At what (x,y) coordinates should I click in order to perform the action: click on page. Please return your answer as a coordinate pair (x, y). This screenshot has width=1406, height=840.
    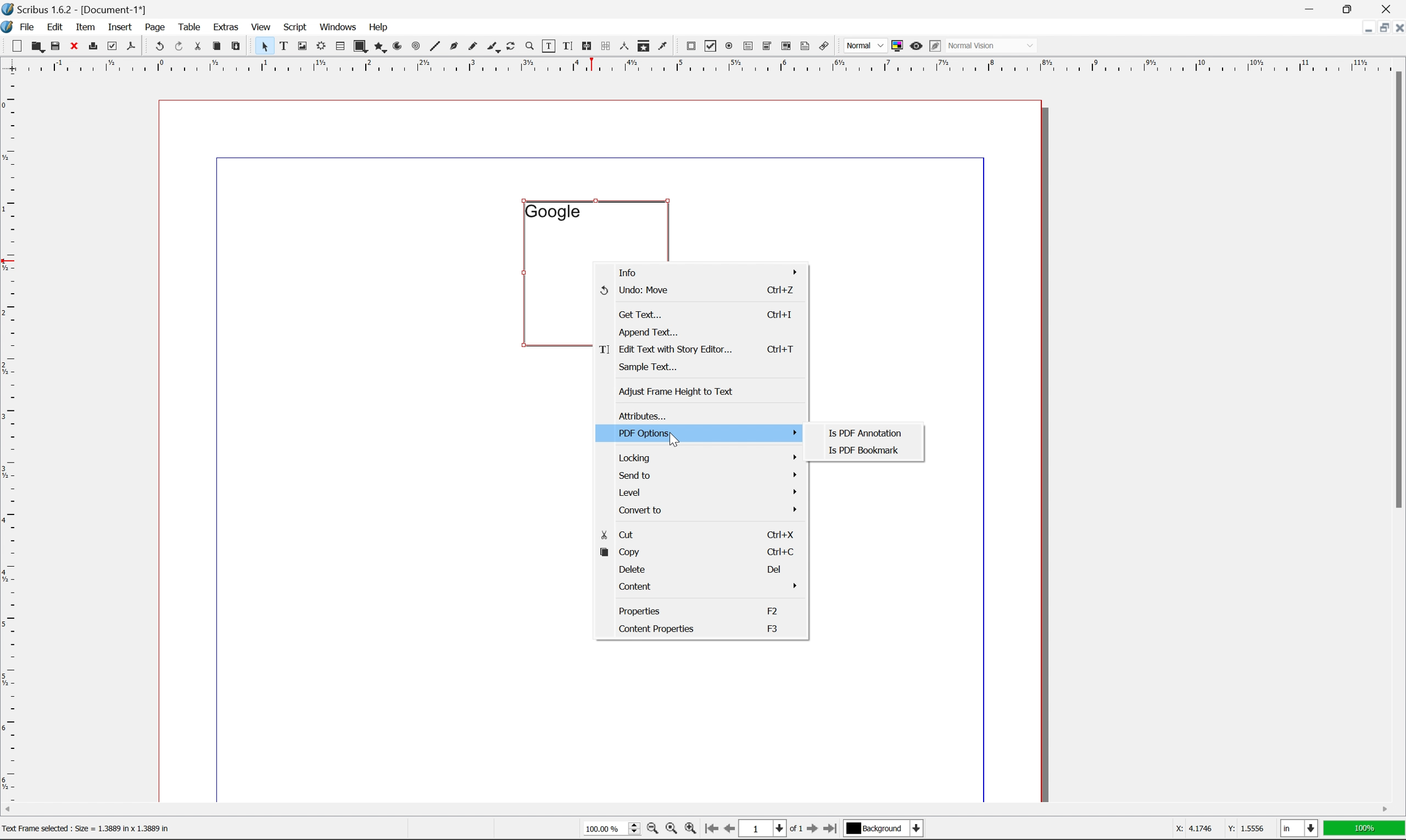
    Looking at the image, I should click on (155, 27).